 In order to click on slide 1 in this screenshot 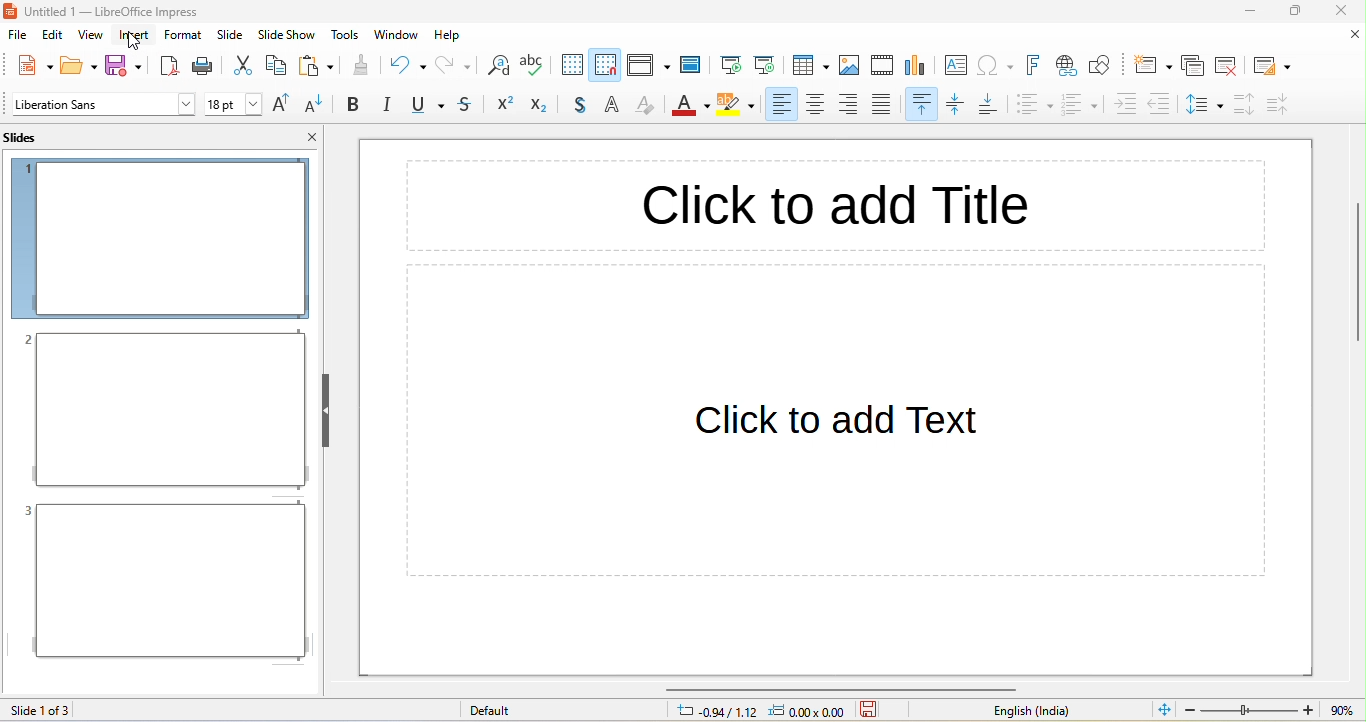, I will do `click(160, 238)`.